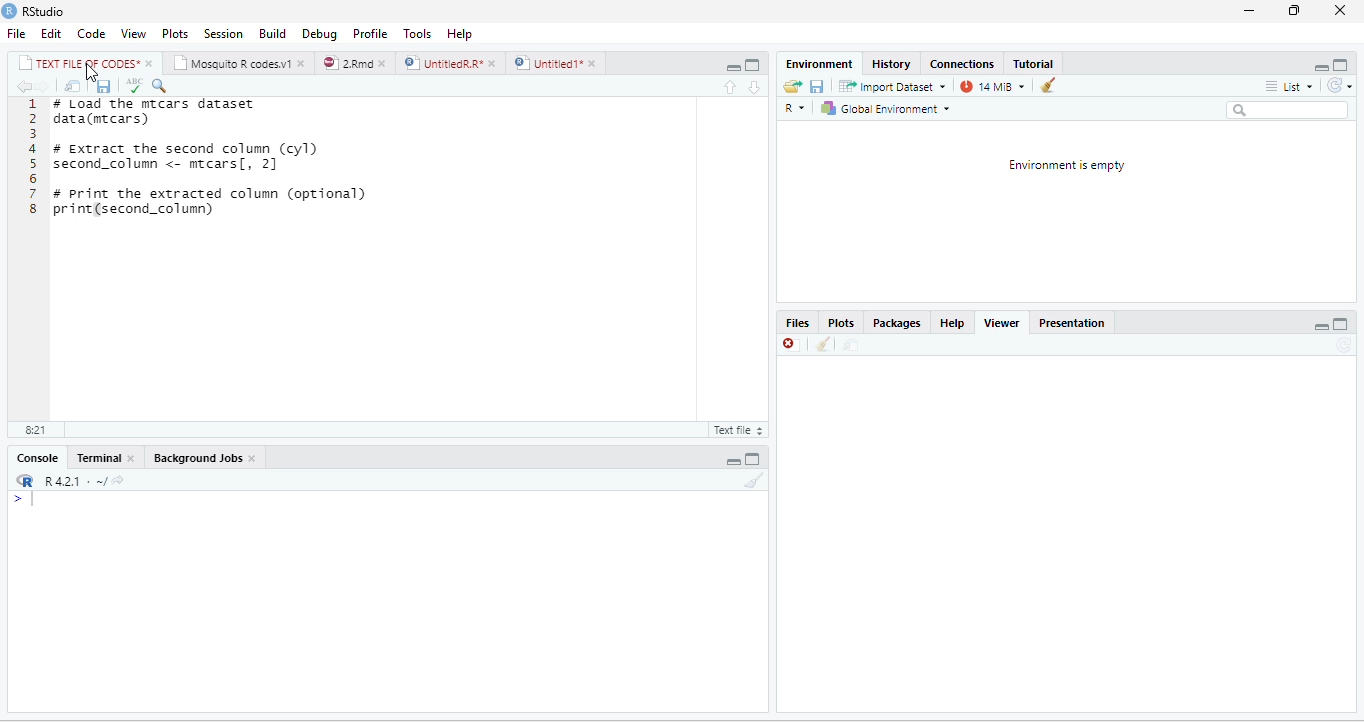  I want to click on RStudio, so click(50, 12).